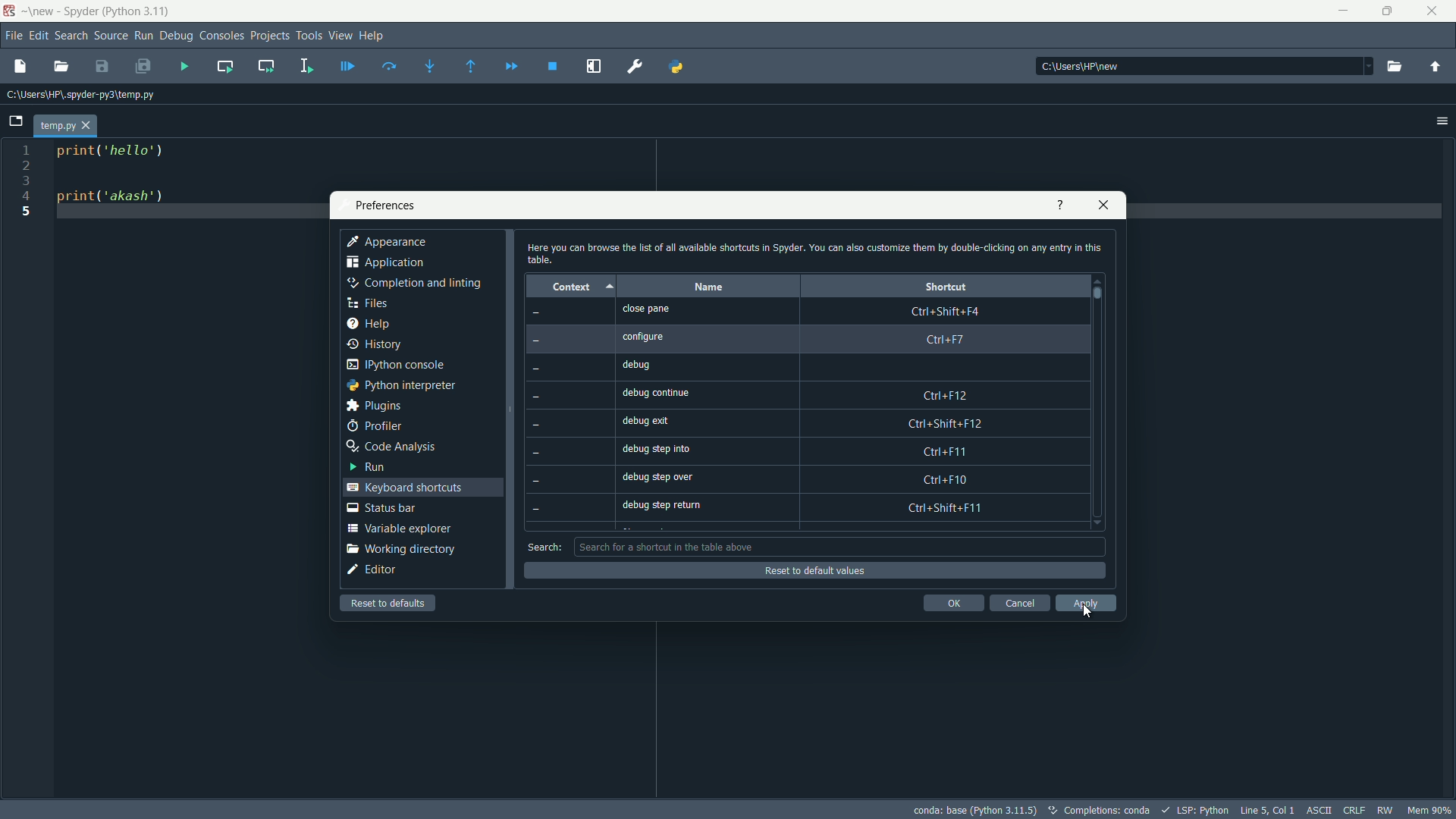 The width and height of the screenshot is (1456, 819). Describe the element at coordinates (673, 407) in the screenshot. I see `names for shortcut` at that location.